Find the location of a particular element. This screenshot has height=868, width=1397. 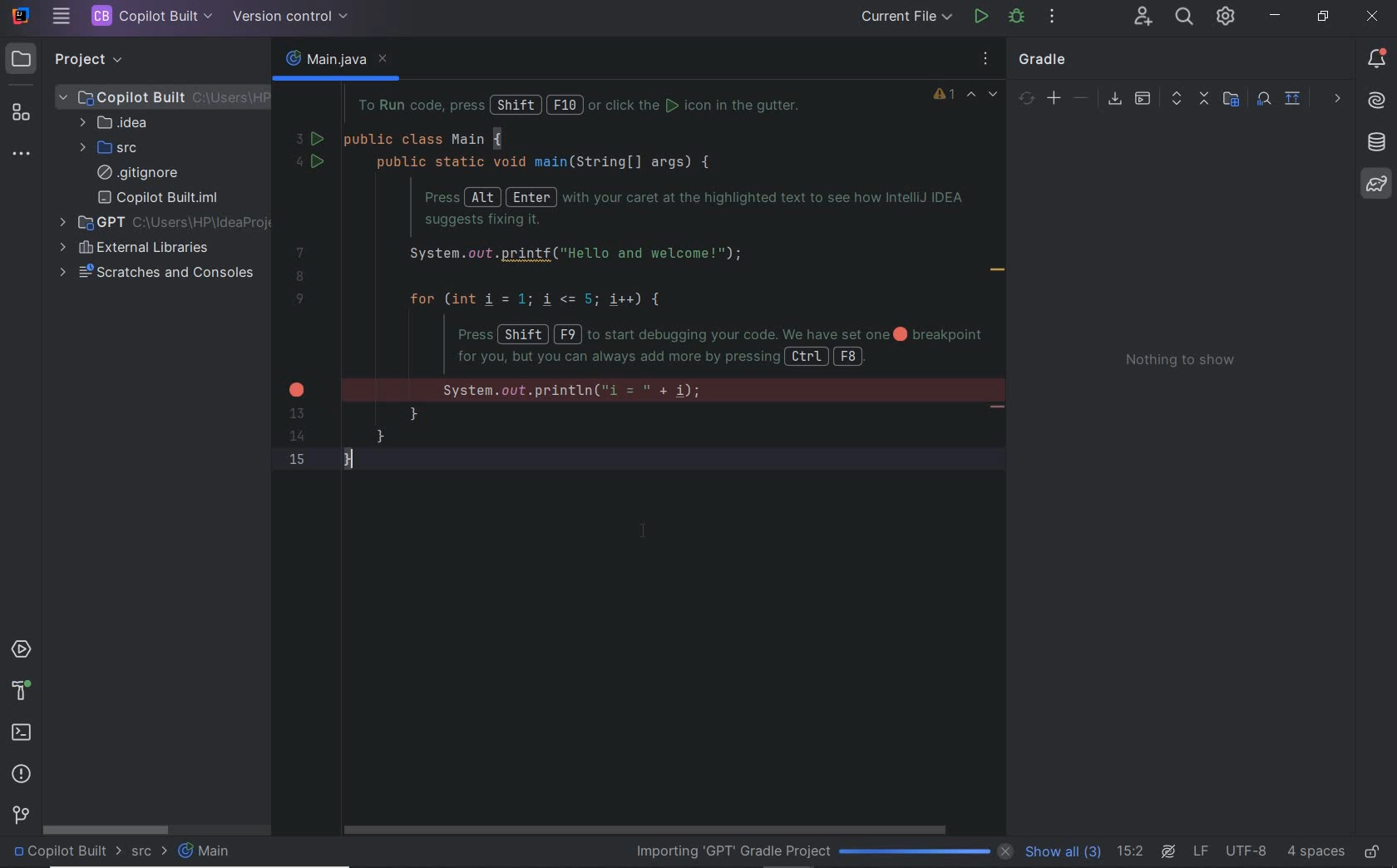

version control is located at coordinates (18, 816).